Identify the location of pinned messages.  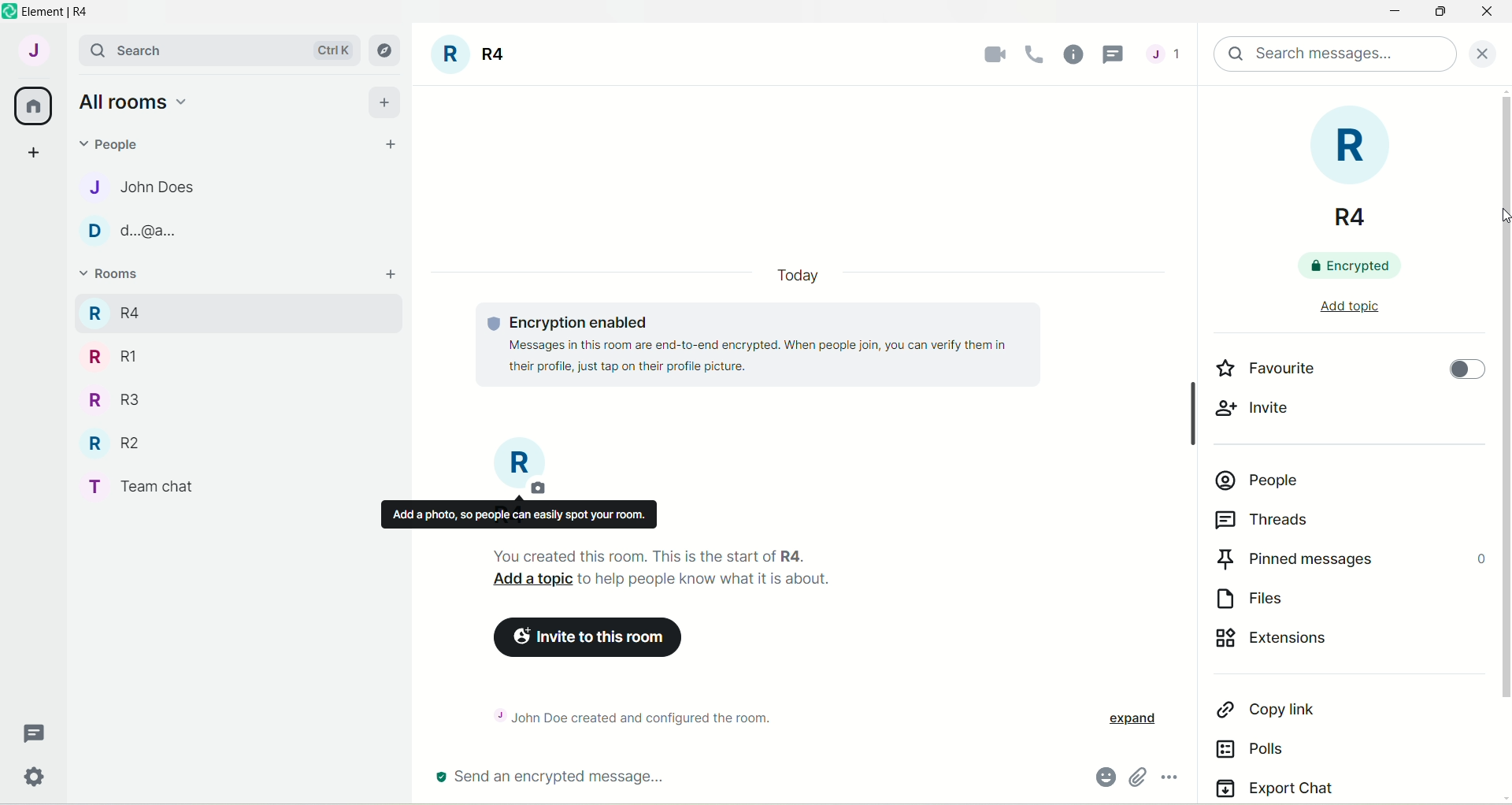
(1349, 559).